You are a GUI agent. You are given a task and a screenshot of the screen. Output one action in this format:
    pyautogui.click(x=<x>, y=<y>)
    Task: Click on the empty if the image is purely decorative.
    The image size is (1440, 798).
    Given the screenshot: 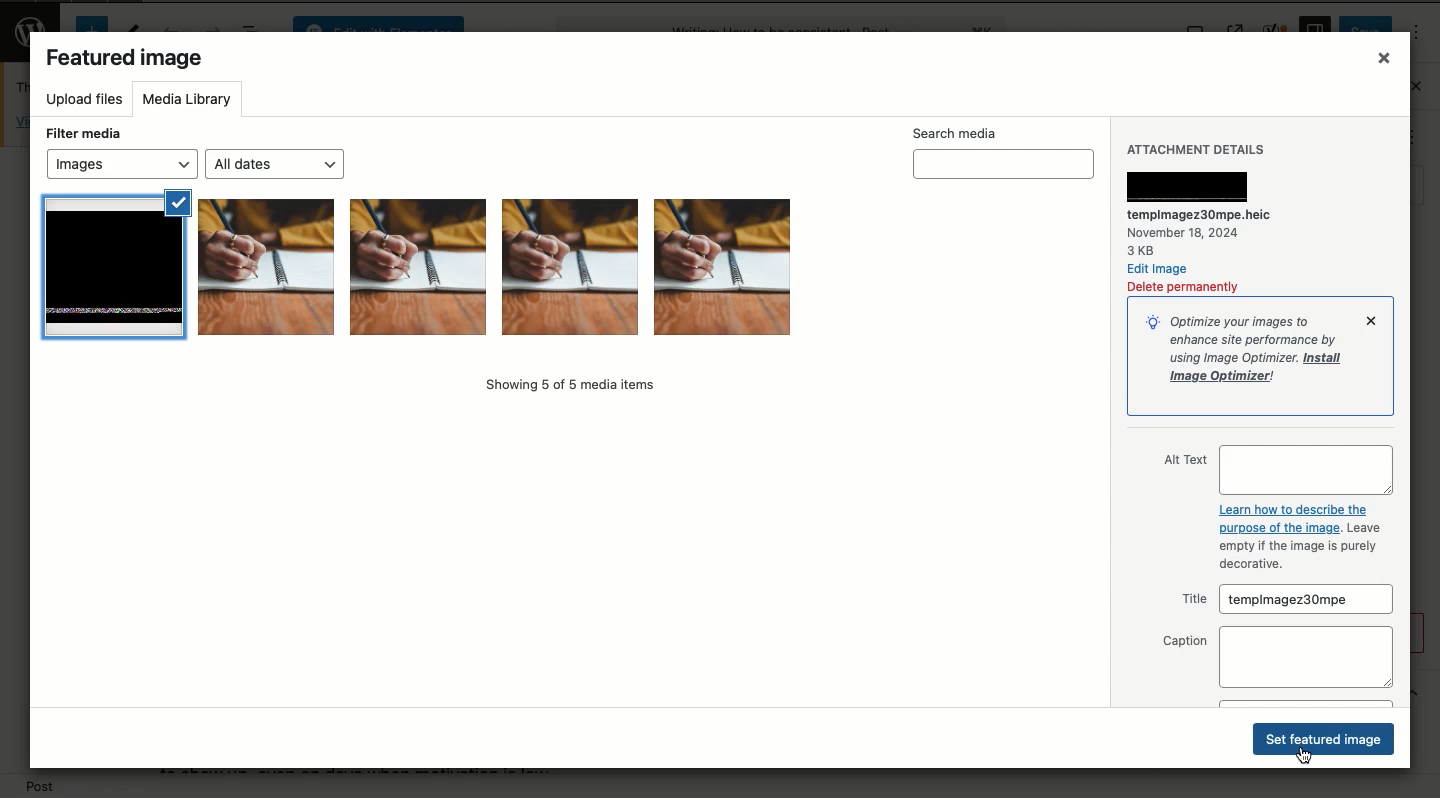 What is the action you would take?
    pyautogui.click(x=1294, y=556)
    